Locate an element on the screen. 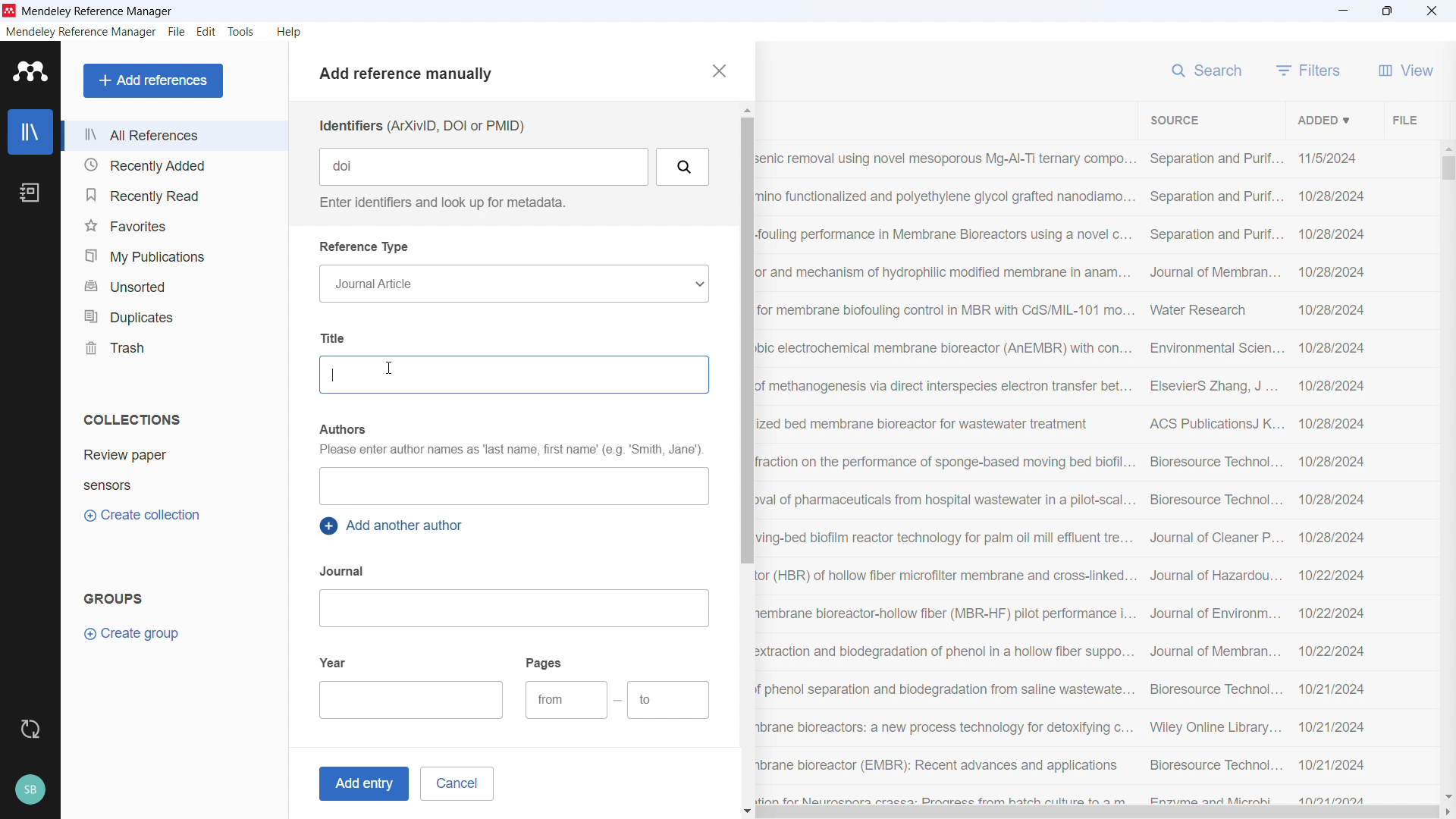 The width and height of the screenshot is (1456, 819). cursor is located at coordinates (390, 369).